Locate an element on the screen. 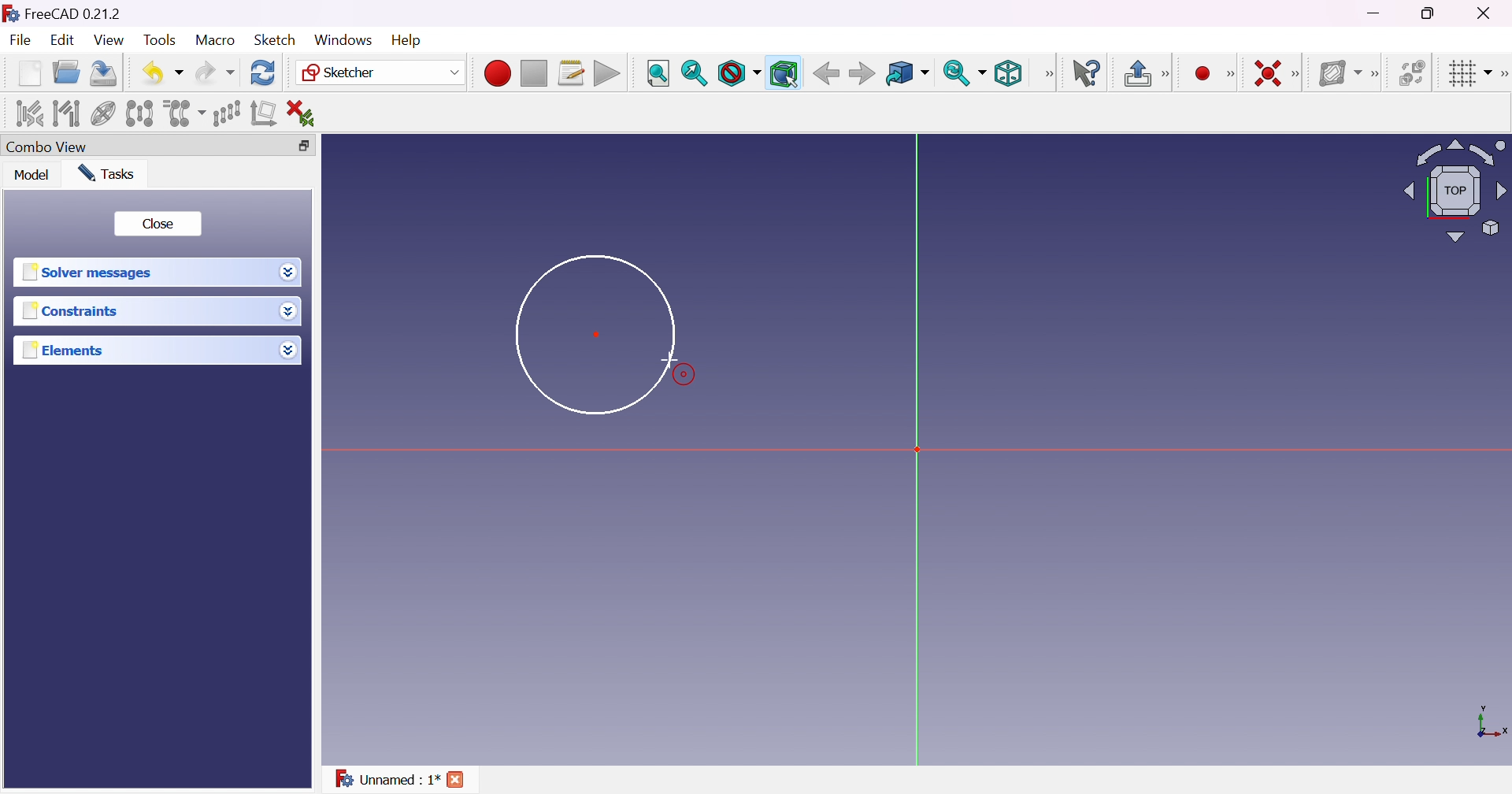  Fit selection is located at coordinates (693, 74).